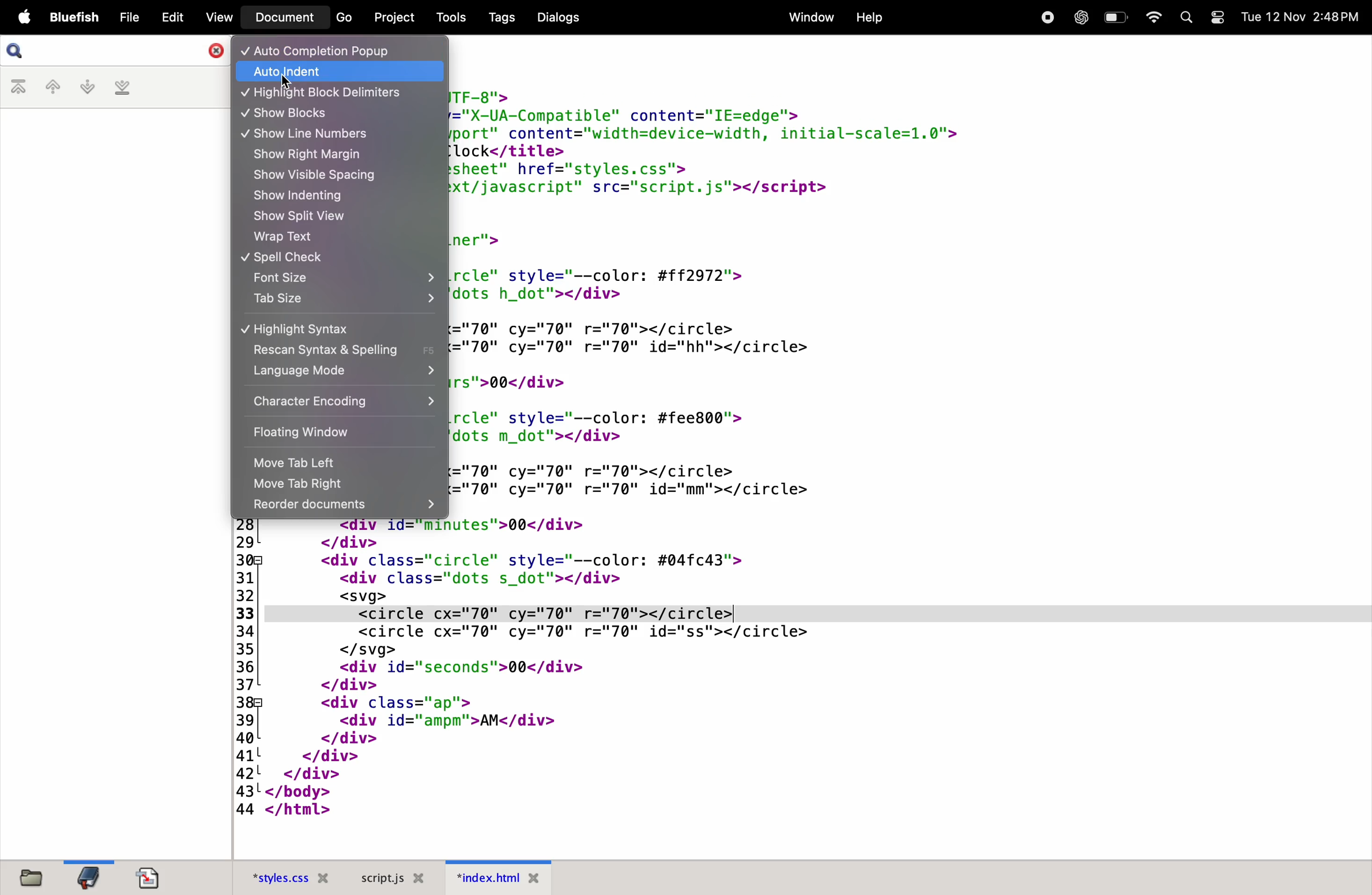 This screenshot has height=895, width=1372. Describe the element at coordinates (870, 16) in the screenshot. I see `help` at that location.